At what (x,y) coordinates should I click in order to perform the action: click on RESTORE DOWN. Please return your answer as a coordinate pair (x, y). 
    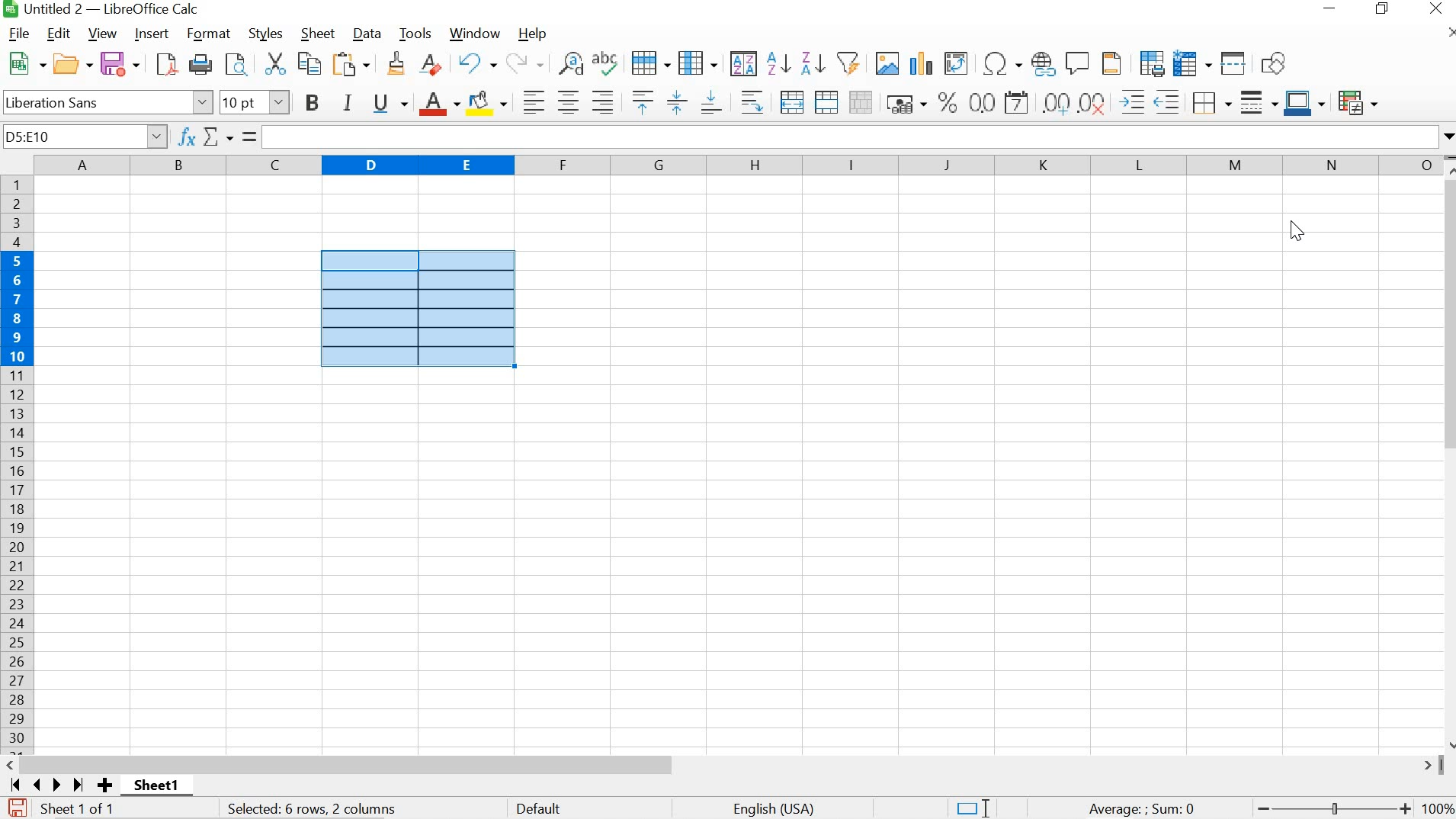
    Looking at the image, I should click on (1381, 9).